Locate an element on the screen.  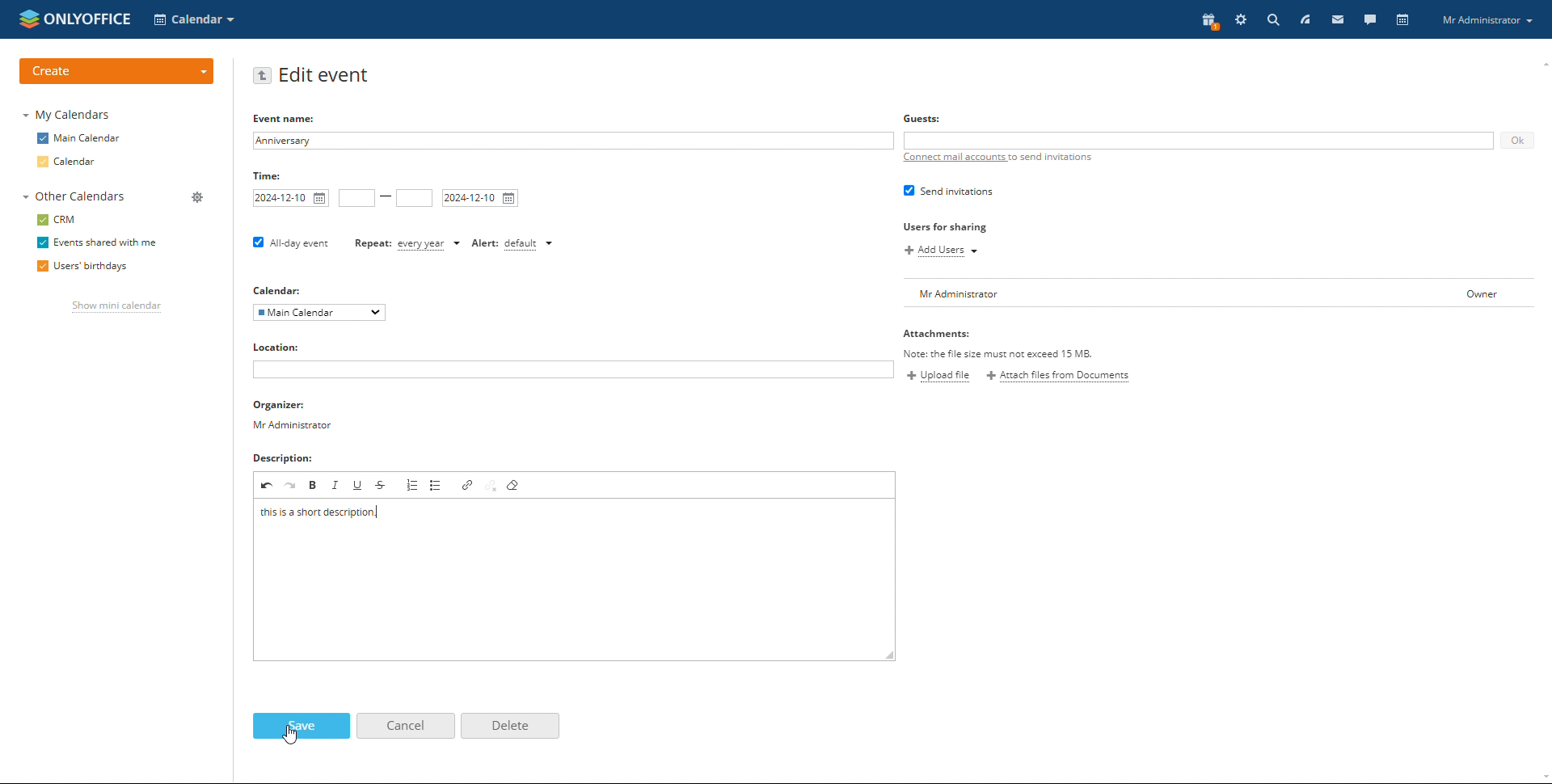
feed is located at coordinates (1304, 19).